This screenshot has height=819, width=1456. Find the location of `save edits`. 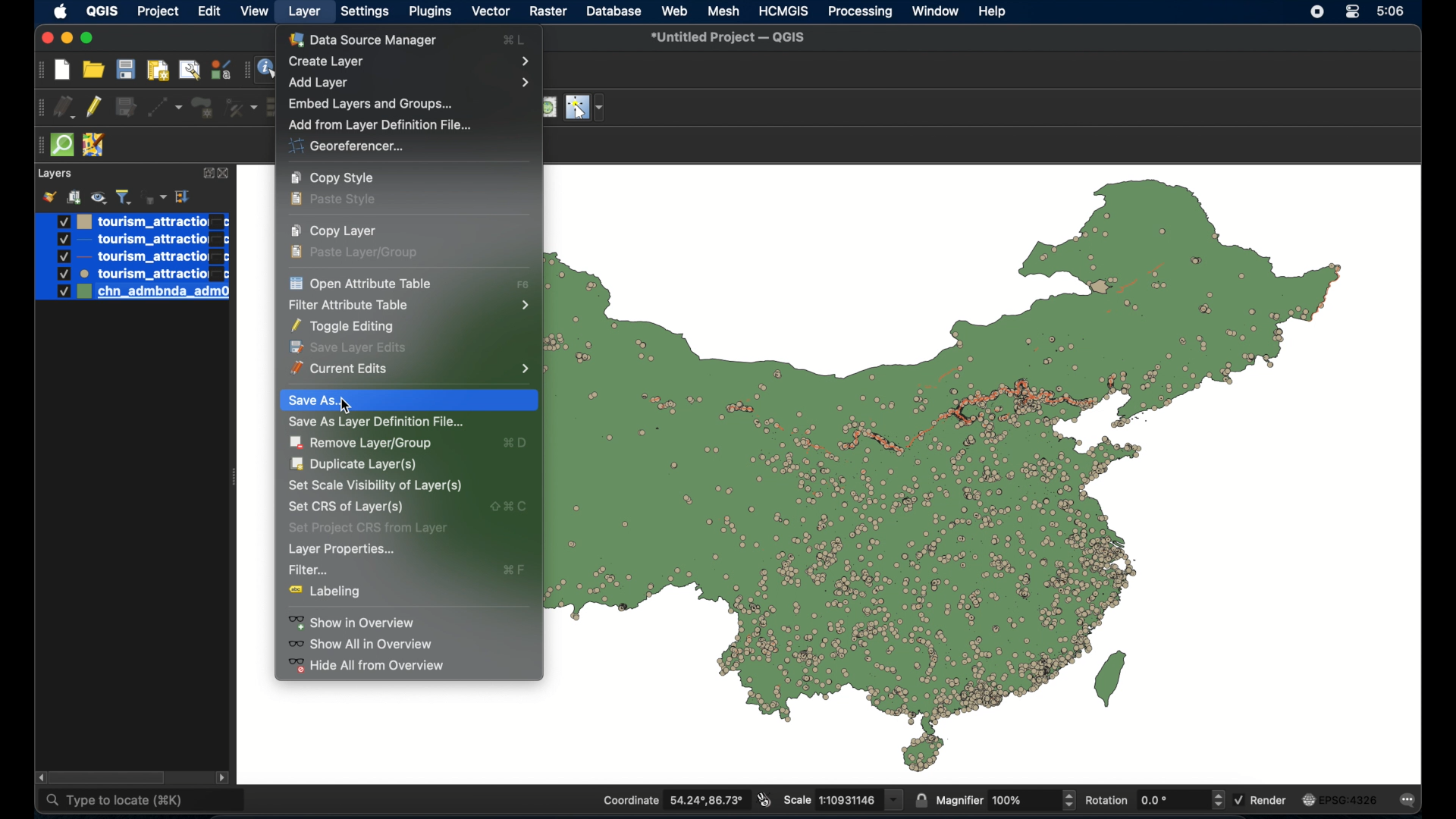

save edits is located at coordinates (127, 107).